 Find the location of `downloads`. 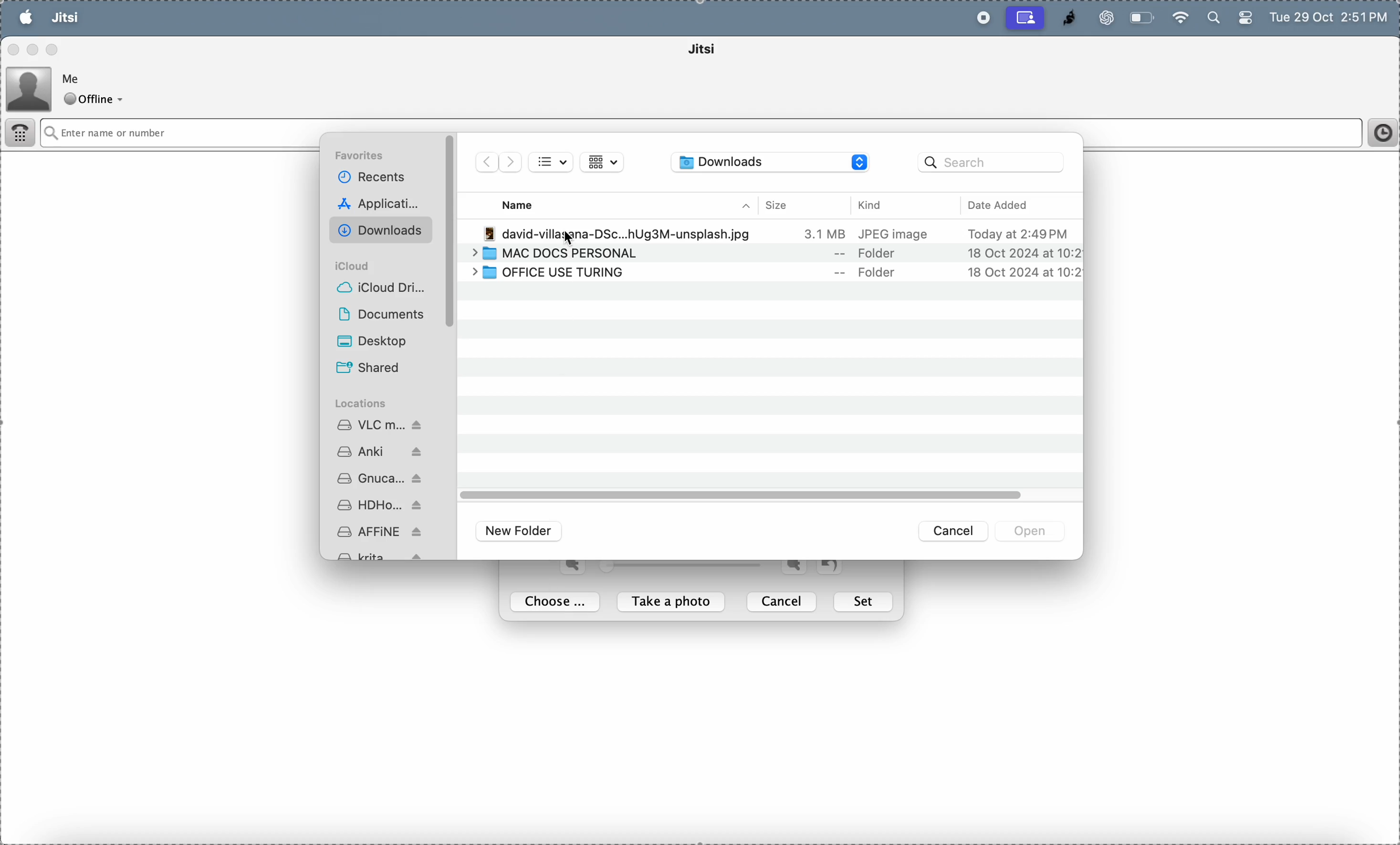

downloads is located at coordinates (383, 229).